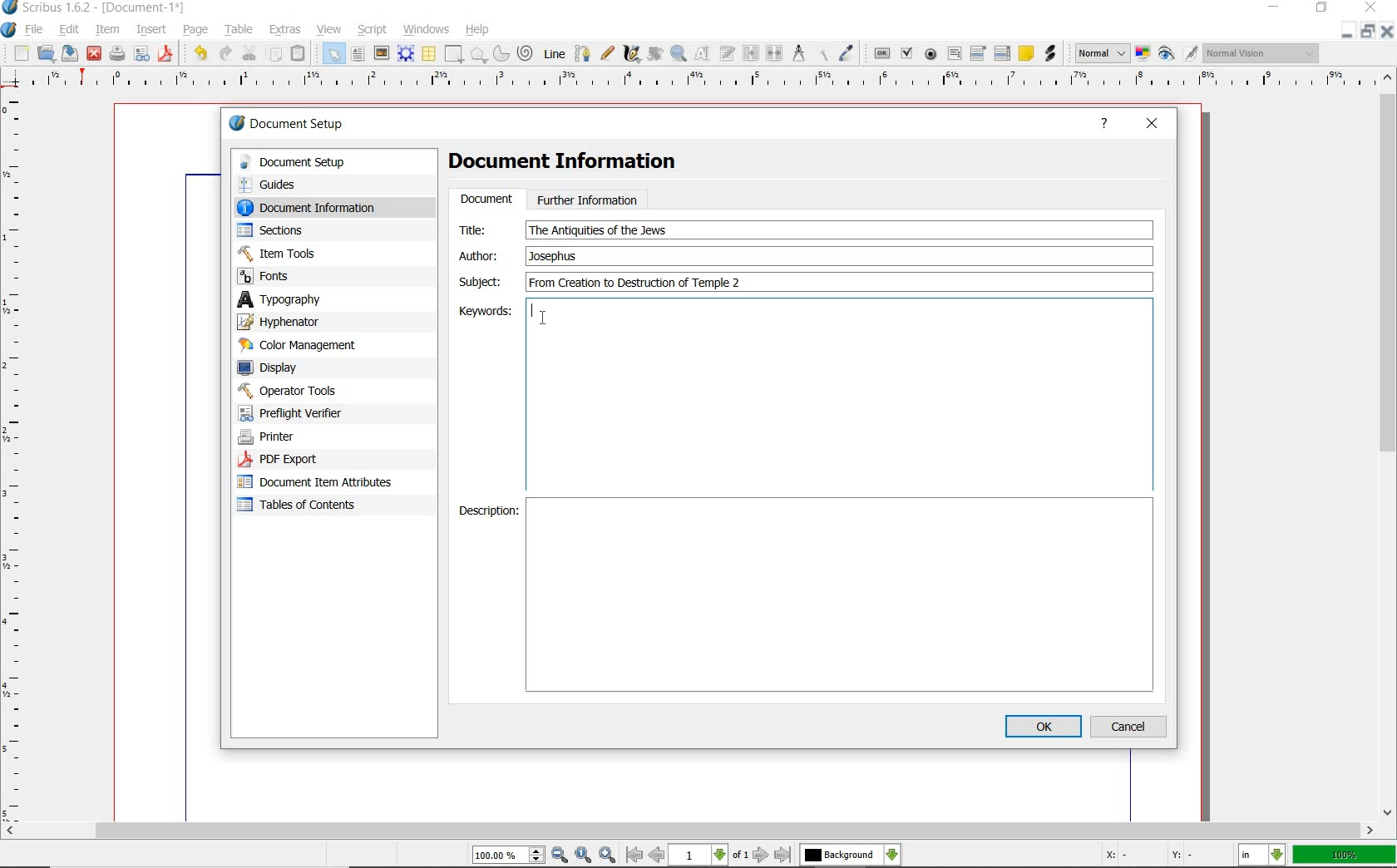 The height and width of the screenshot is (868, 1397). I want to click on Description, so click(842, 595).